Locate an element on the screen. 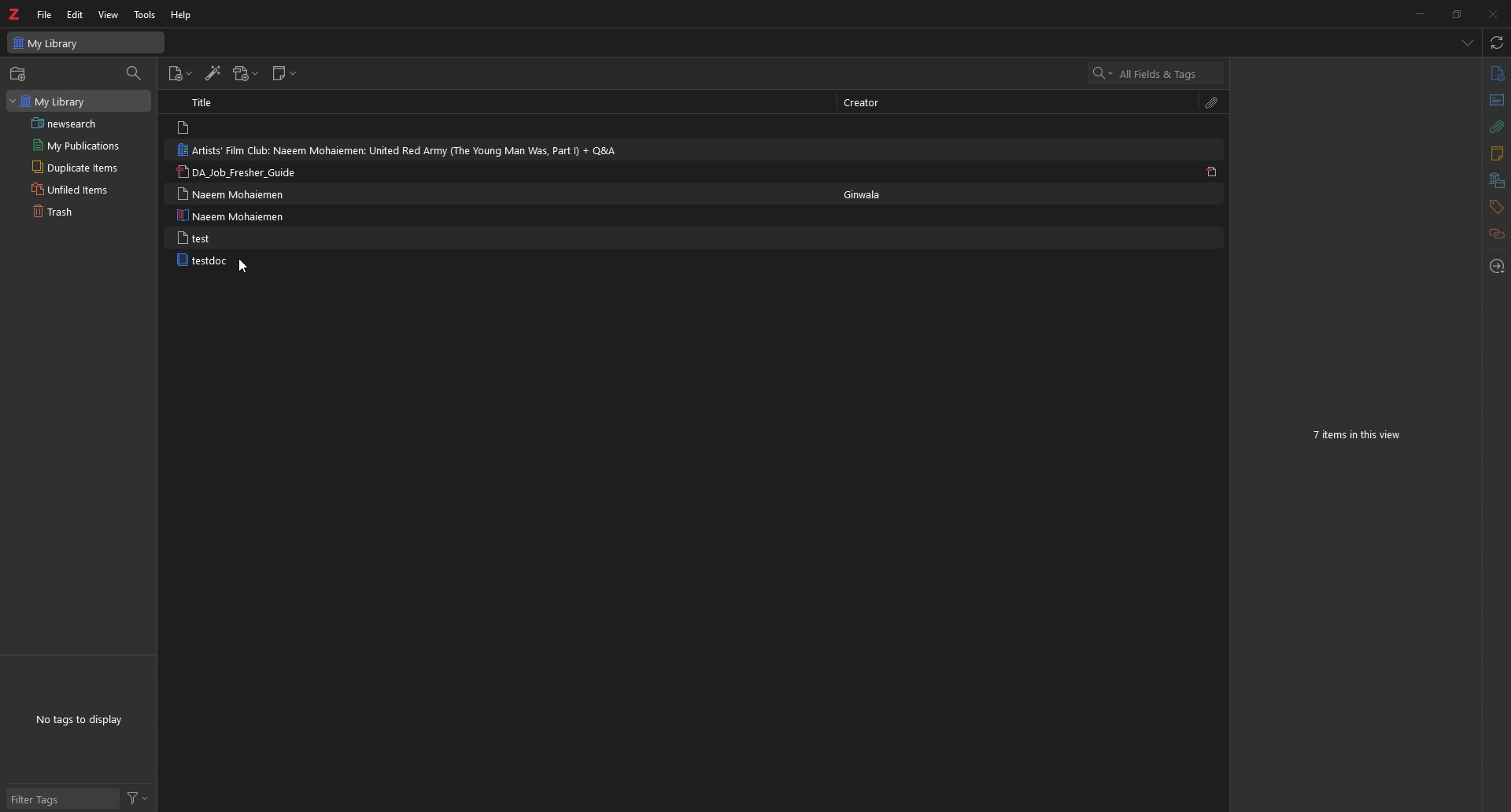 This screenshot has width=1511, height=812. New note is located at coordinates (283, 73).